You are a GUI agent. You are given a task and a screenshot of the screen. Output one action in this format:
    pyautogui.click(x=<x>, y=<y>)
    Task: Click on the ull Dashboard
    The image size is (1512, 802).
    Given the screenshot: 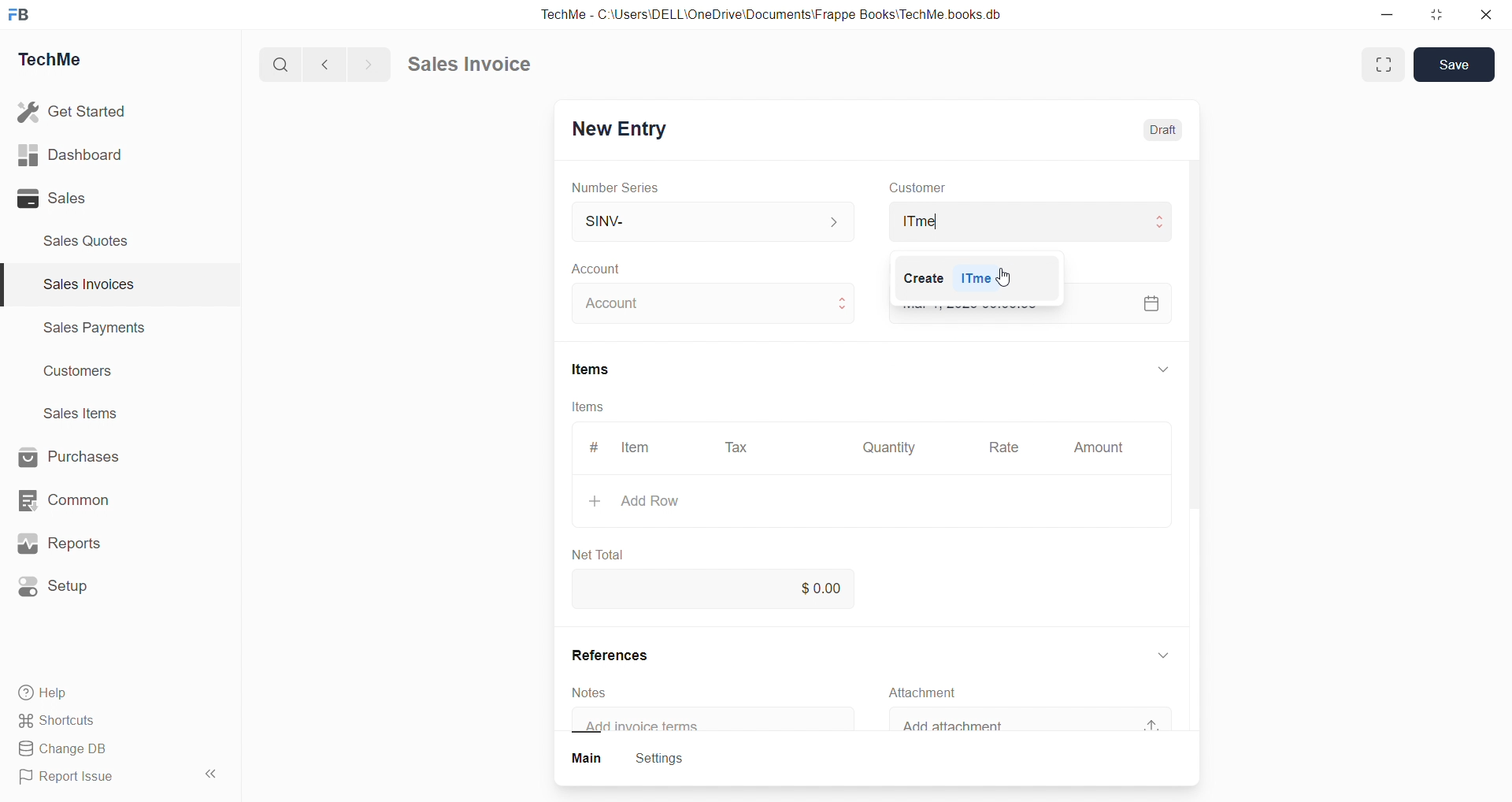 What is the action you would take?
    pyautogui.click(x=78, y=154)
    